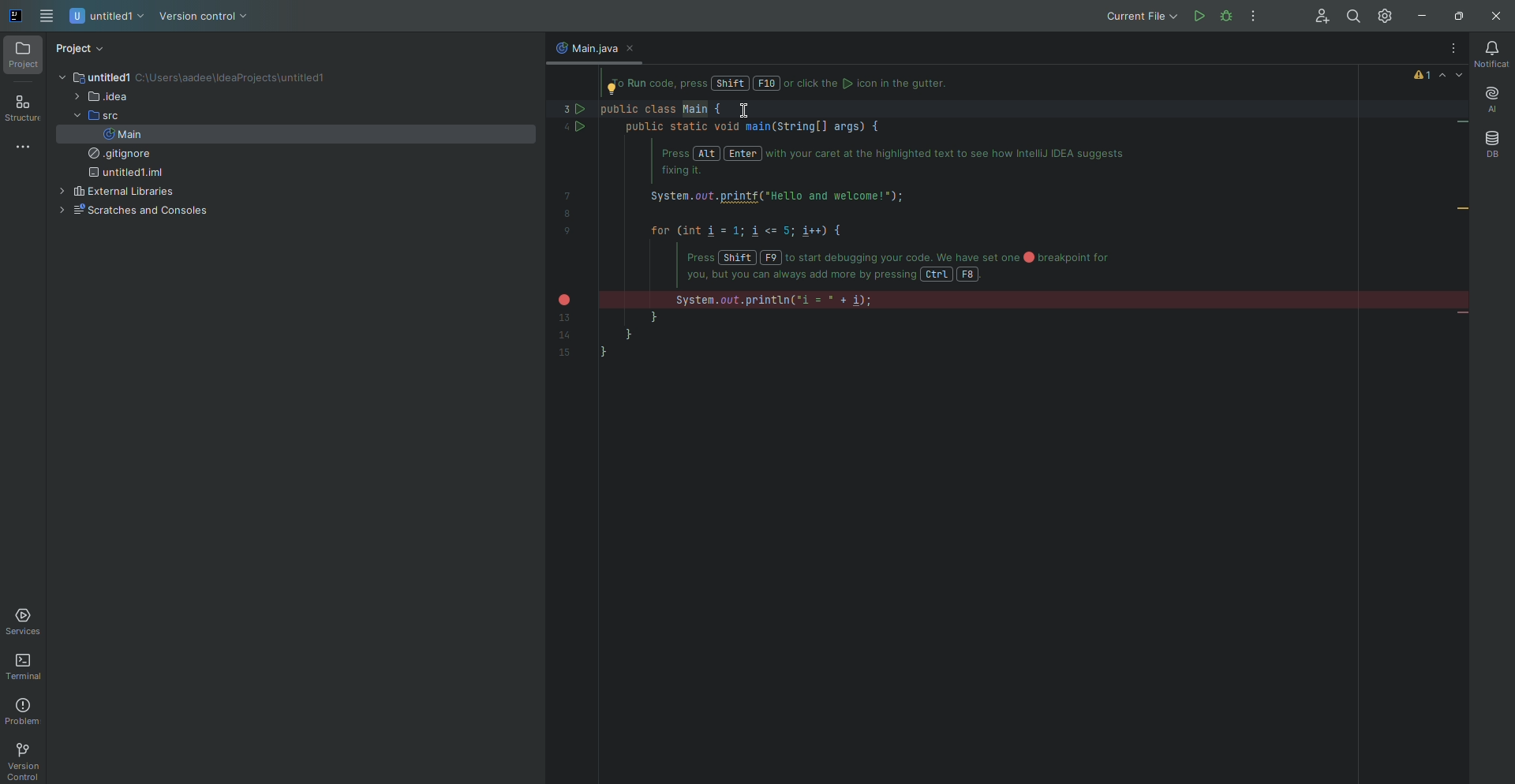  I want to click on Minimize, so click(1418, 17).